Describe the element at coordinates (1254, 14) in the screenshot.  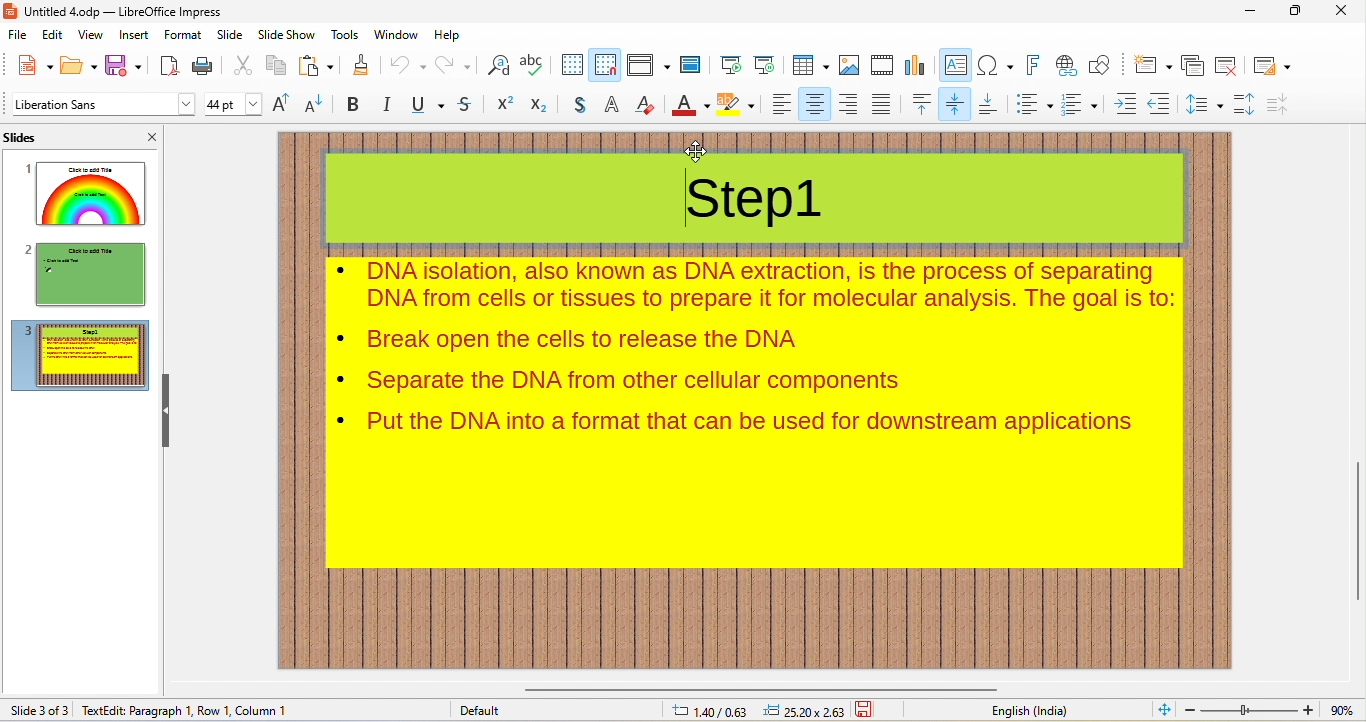
I see `minimize` at that location.